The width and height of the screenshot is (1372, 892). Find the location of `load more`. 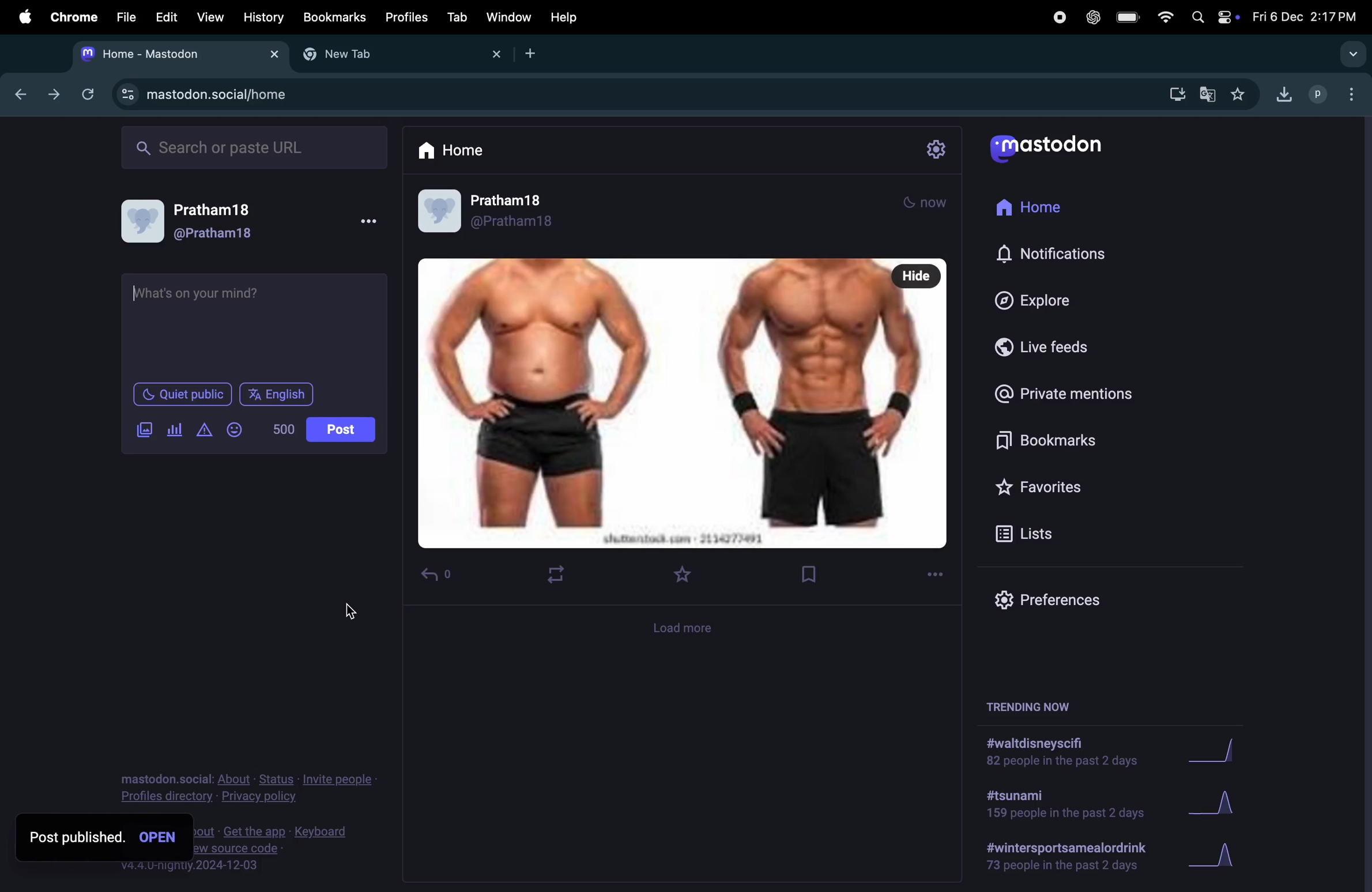

load more is located at coordinates (689, 198).